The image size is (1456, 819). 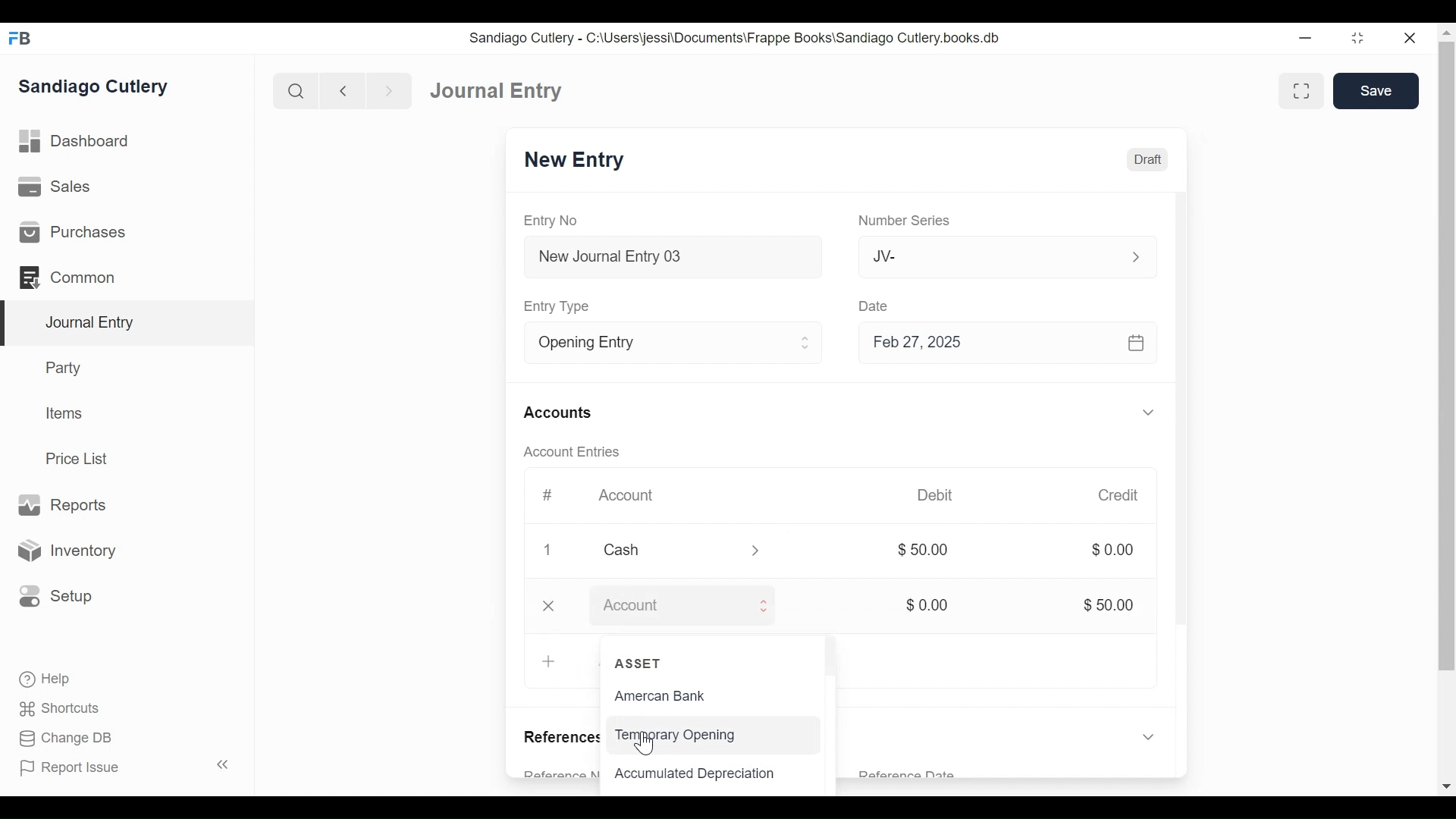 What do you see at coordinates (1150, 160) in the screenshot?
I see `Draft` at bounding box center [1150, 160].